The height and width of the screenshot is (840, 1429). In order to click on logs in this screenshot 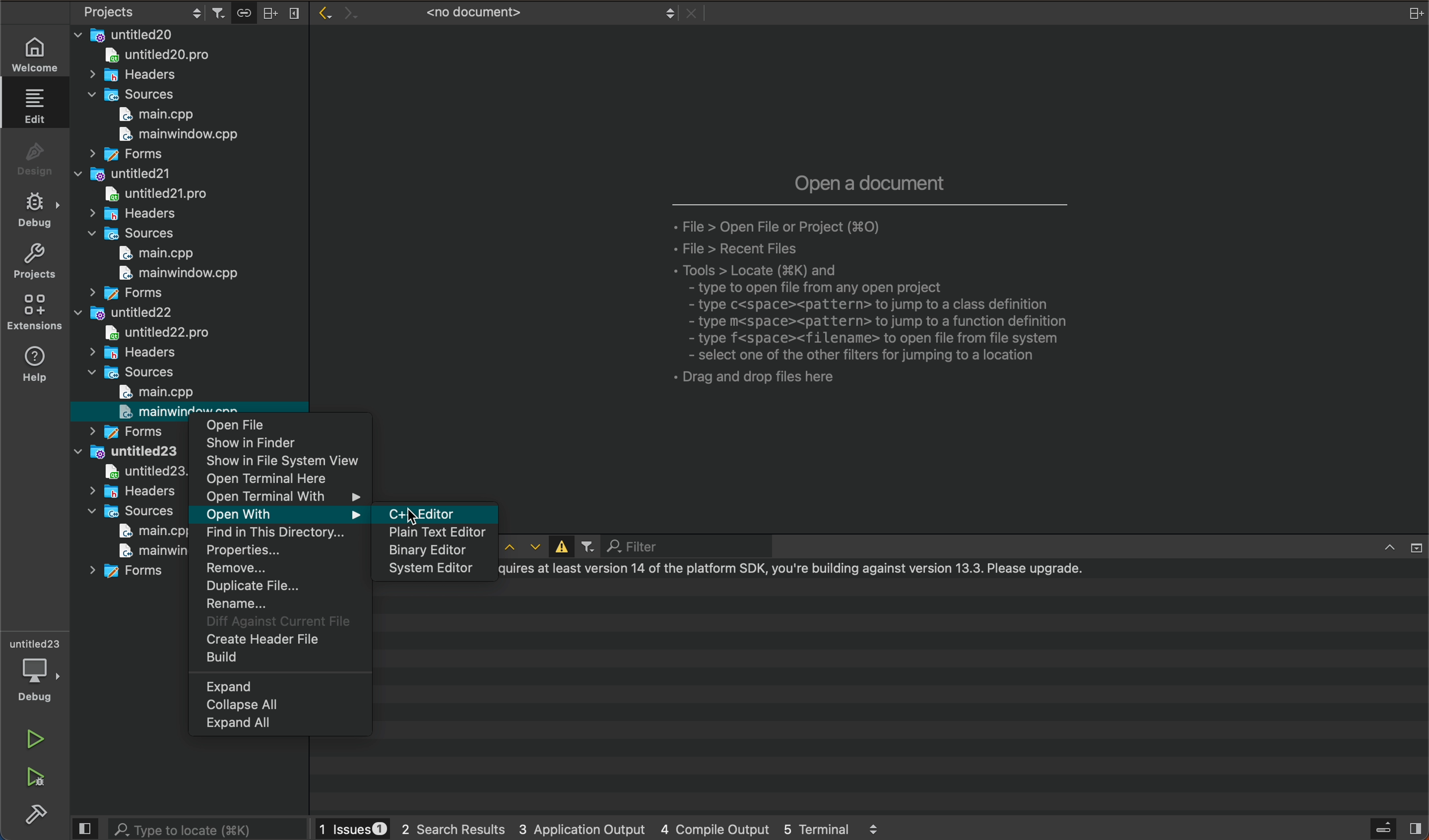, I will do `click(607, 828)`.